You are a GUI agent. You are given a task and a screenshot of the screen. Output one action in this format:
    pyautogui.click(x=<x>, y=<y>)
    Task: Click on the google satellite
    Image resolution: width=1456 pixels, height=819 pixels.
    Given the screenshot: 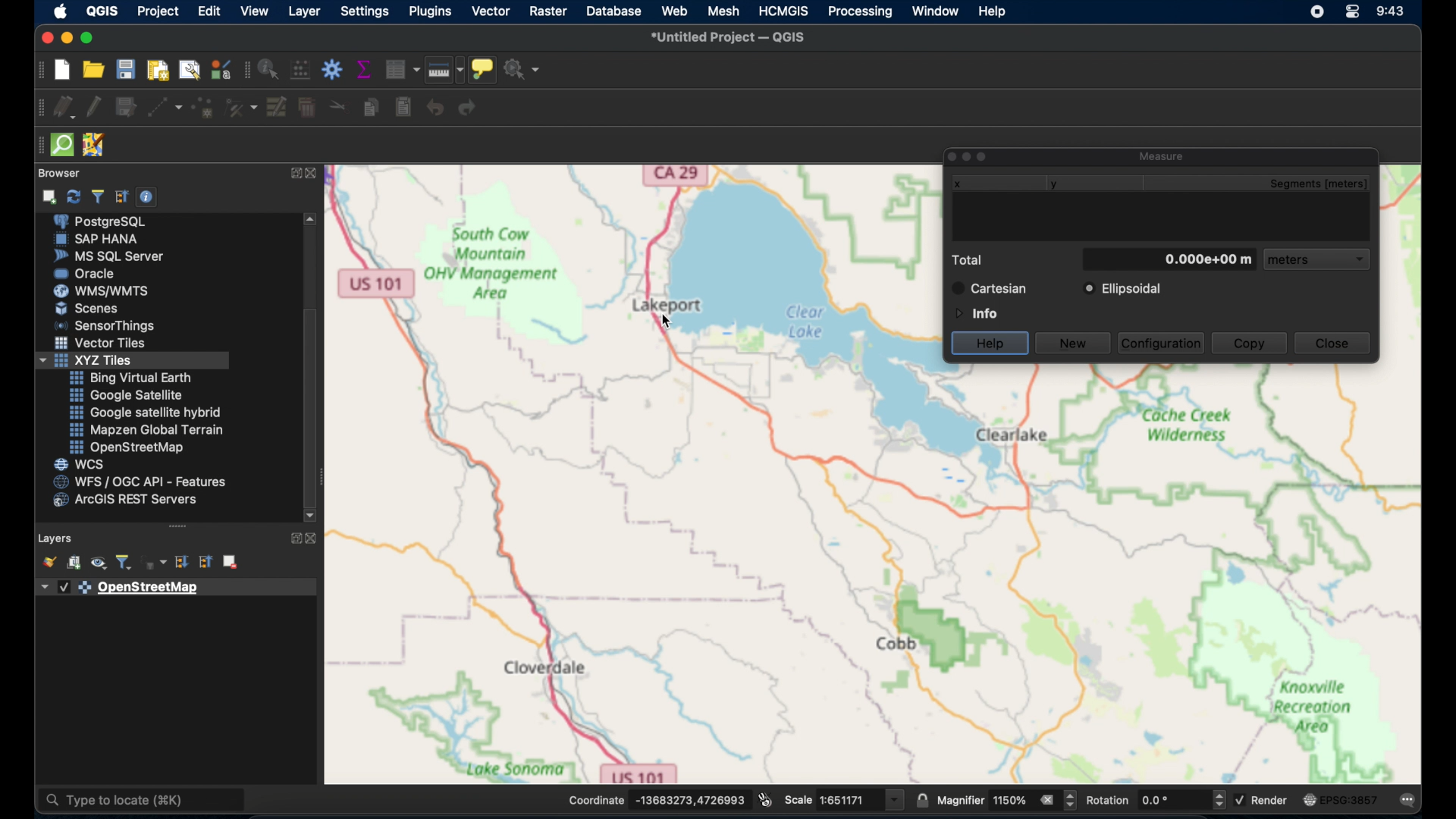 What is the action you would take?
    pyautogui.click(x=125, y=395)
    